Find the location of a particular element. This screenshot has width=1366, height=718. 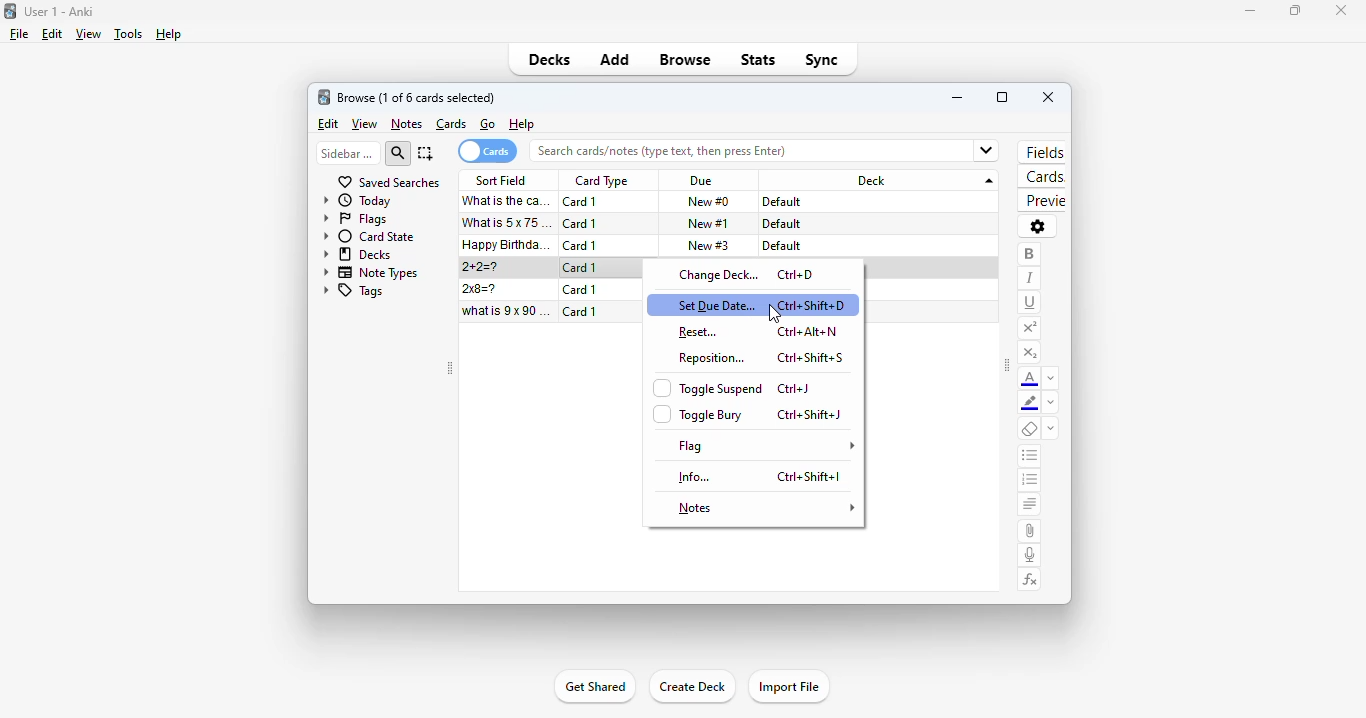

User 1 - Anki is located at coordinates (59, 11).